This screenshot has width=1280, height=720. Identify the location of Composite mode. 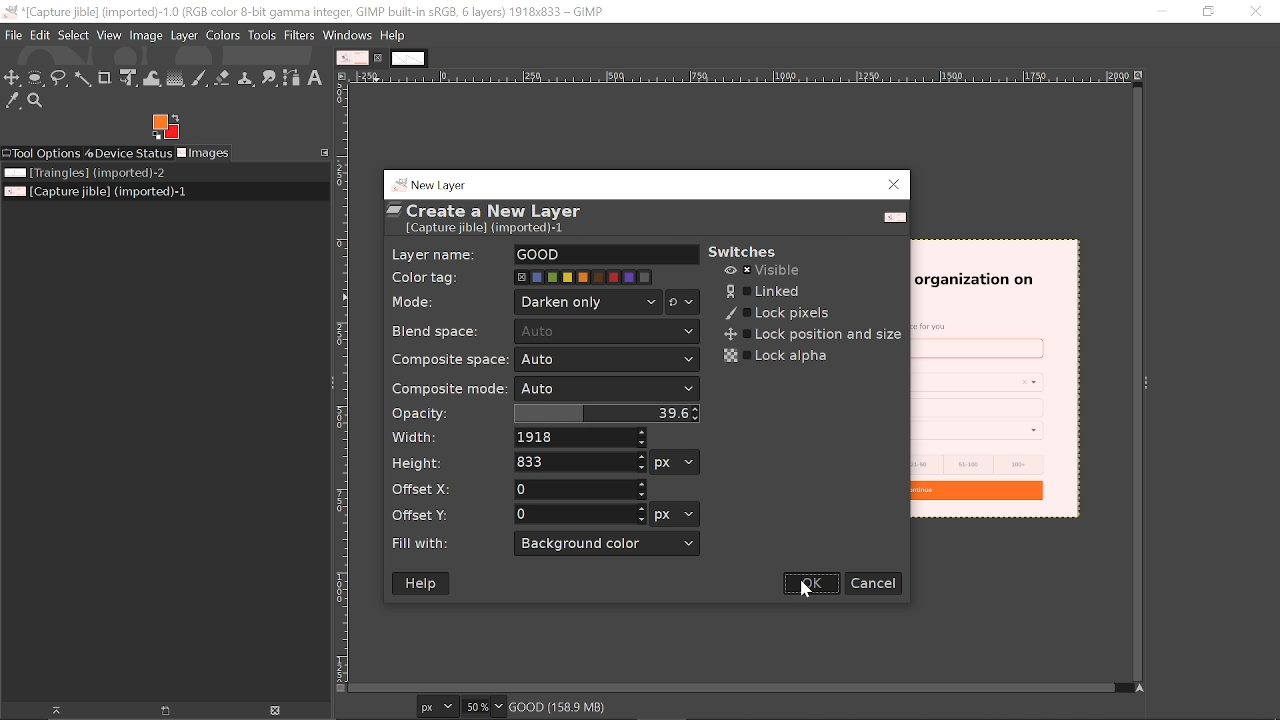
(608, 390).